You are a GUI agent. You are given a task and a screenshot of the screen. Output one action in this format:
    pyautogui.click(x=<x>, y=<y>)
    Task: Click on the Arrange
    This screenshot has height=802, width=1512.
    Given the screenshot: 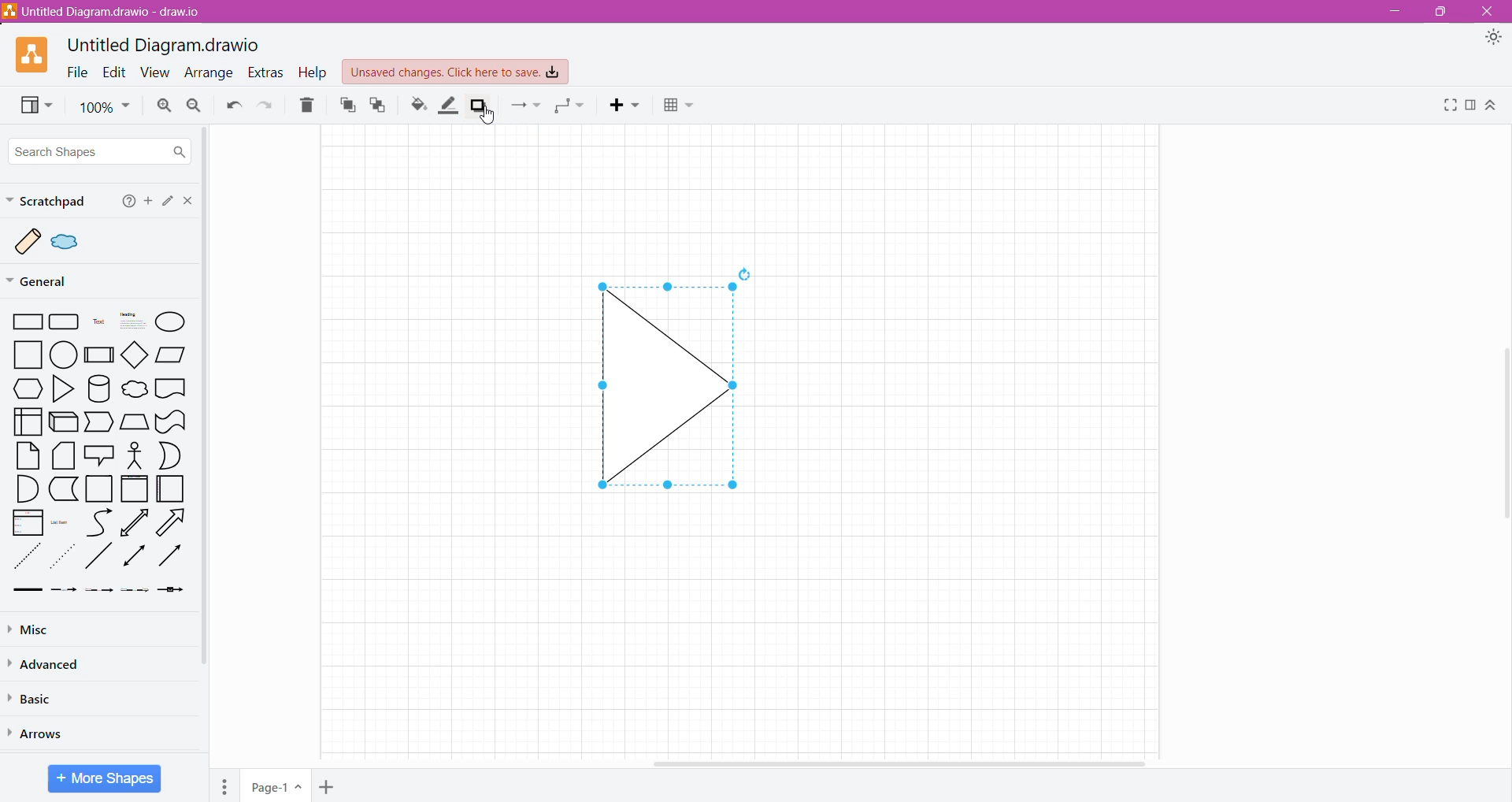 What is the action you would take?
    pyautogui.click(x=211, y=73)
    